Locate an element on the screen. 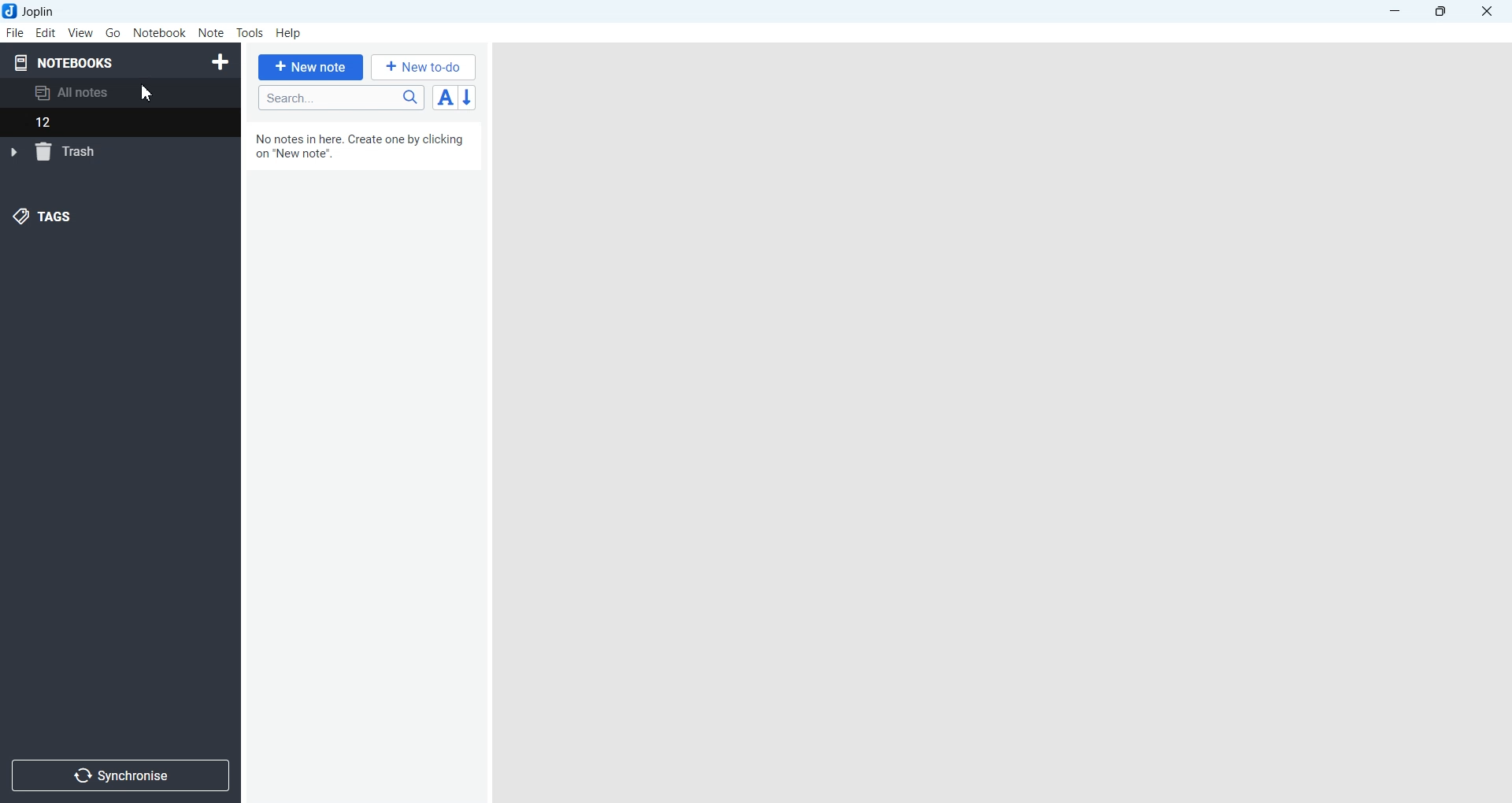 Image resolution: width=1512 pixels, height=803 pixels. Cursor is located at coordinates (146, 91).